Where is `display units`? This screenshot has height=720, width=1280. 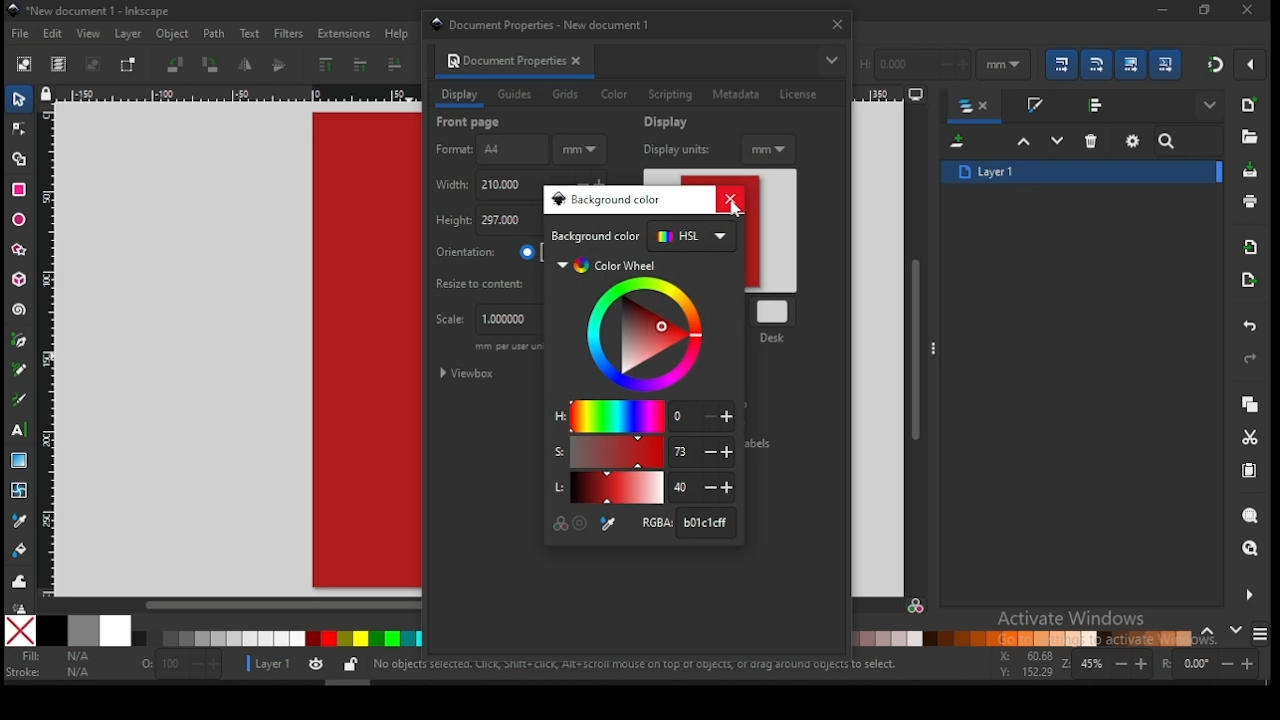 display units is located at coordinates (674, 148).